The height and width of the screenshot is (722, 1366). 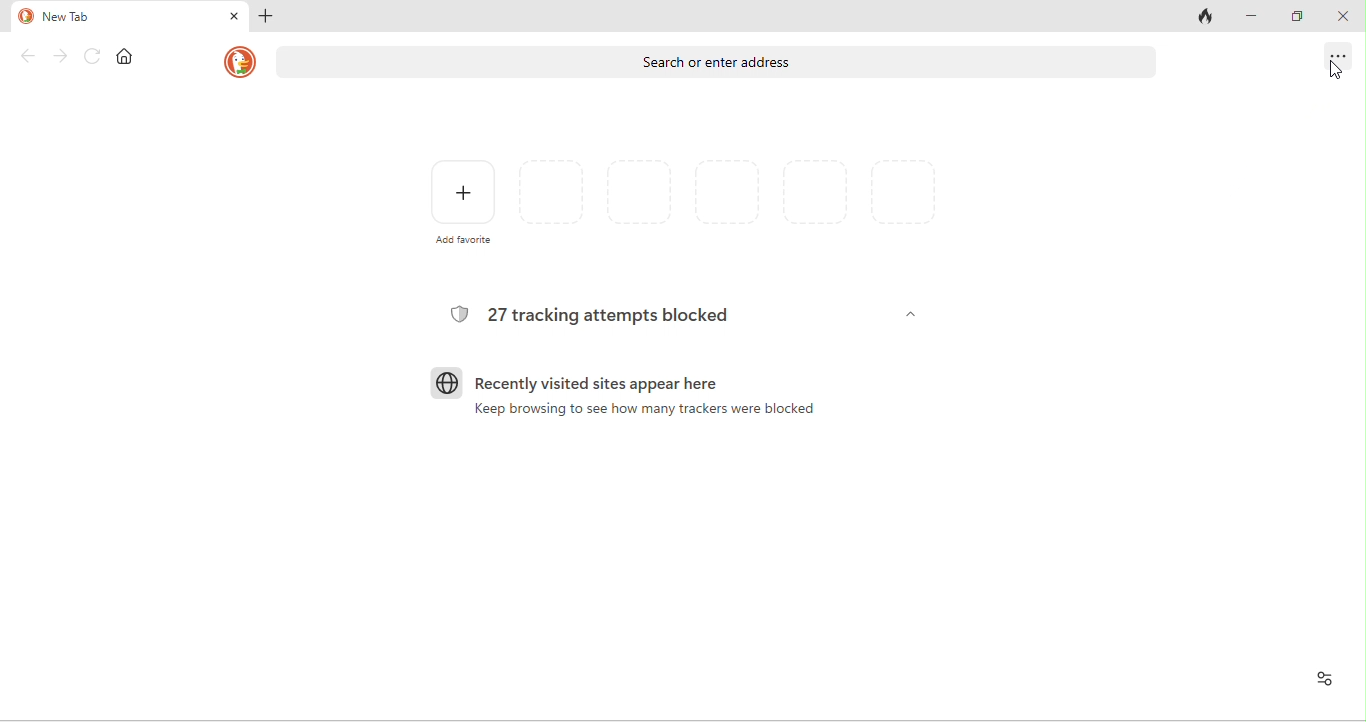 What do you see at coordinates (719, 63) in the screenshot?
I see `search or enter address` at bounding box center [719, 63].